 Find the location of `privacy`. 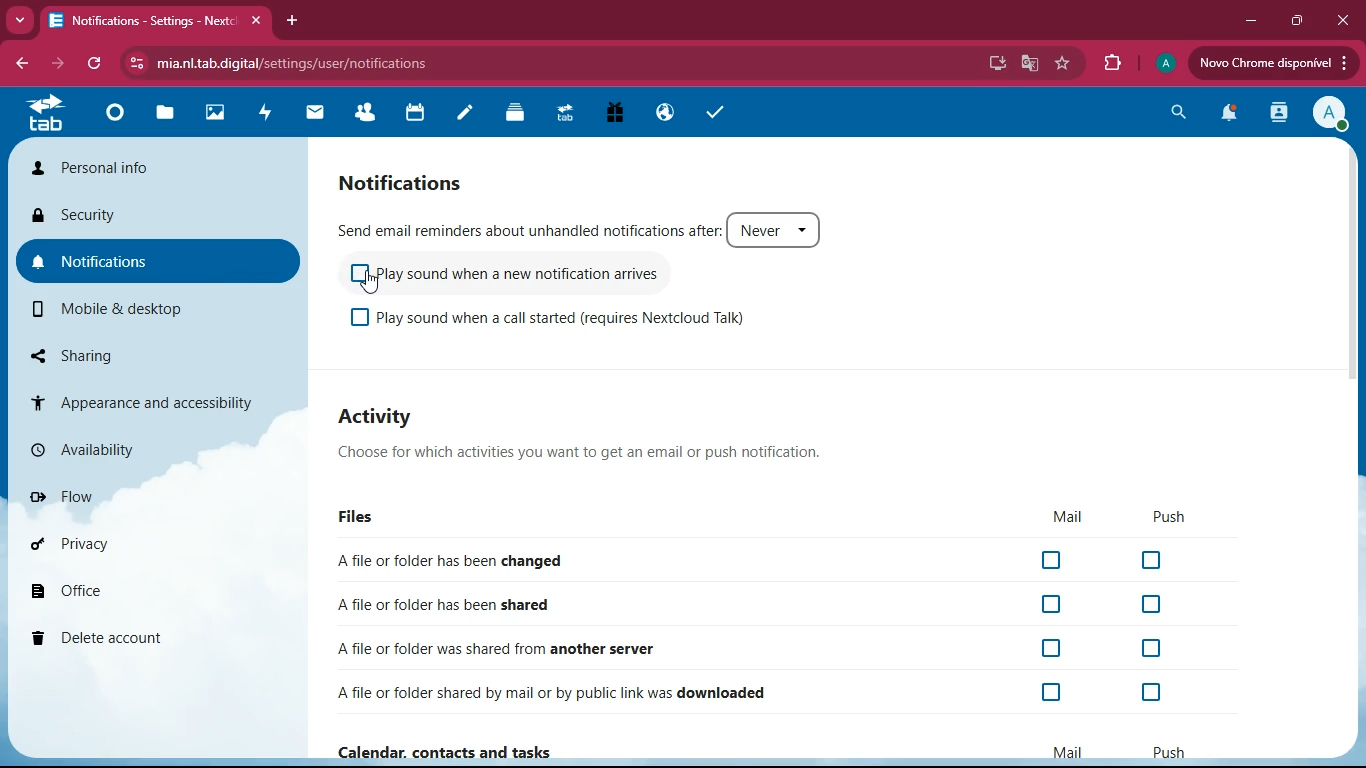

privacy is located at coordinates (130, 542).